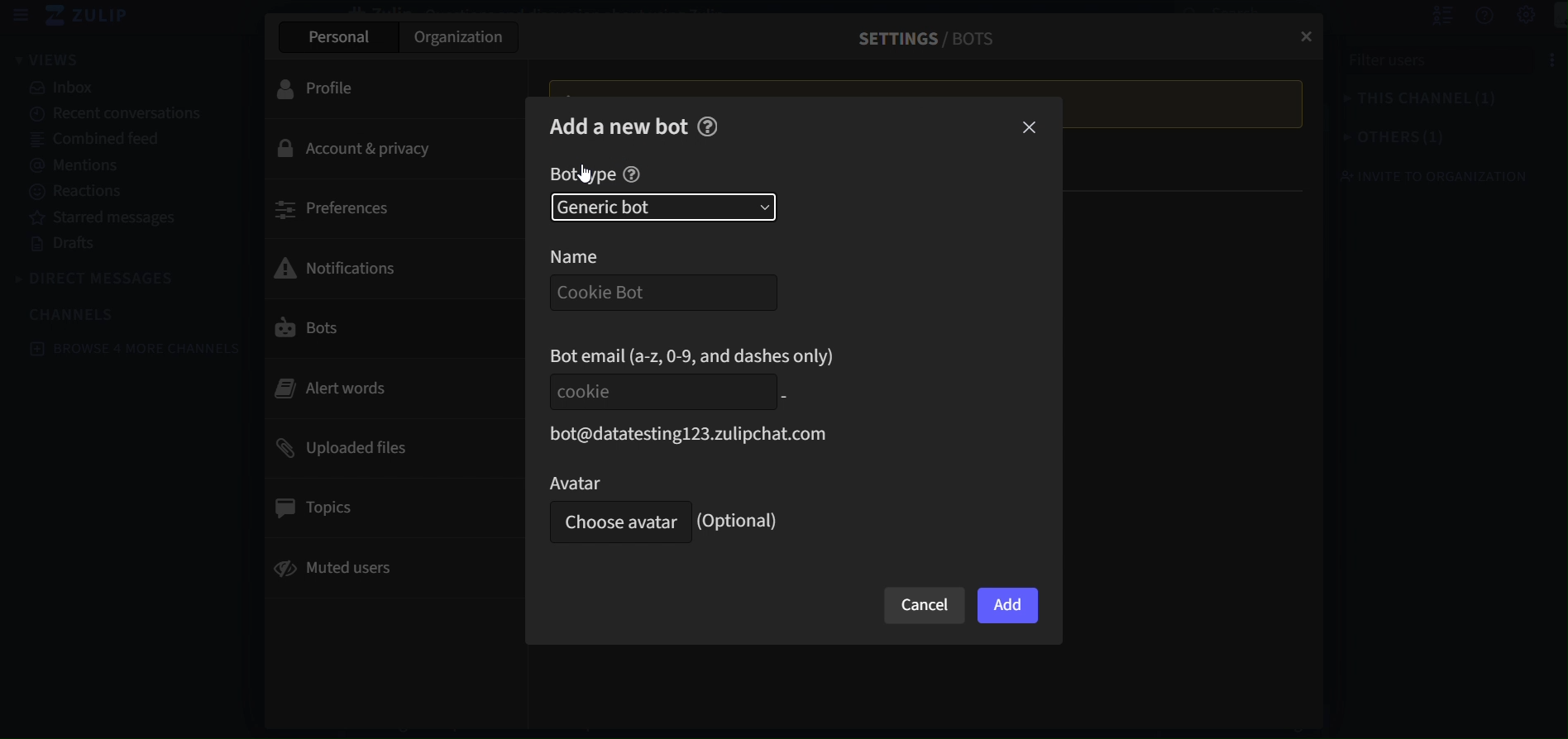  Describe the element at coordinates (1008, 607) in the screenshot. I see `add` at that location.